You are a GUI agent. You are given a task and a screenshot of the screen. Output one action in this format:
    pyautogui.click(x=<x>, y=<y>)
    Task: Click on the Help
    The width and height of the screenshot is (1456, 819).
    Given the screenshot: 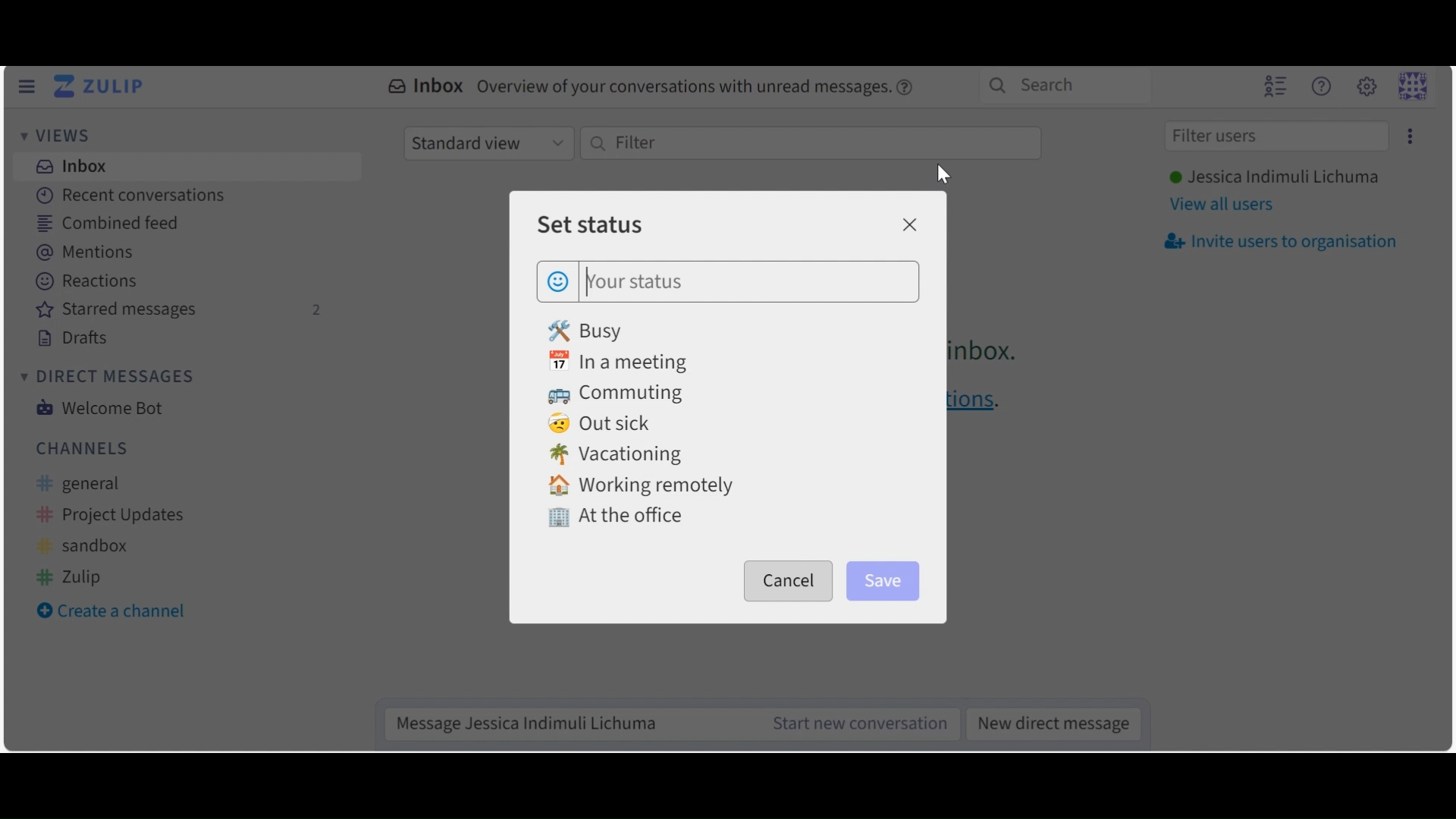 What is the action you would take?
    pyautogui.click(x=1320, y=86)
    